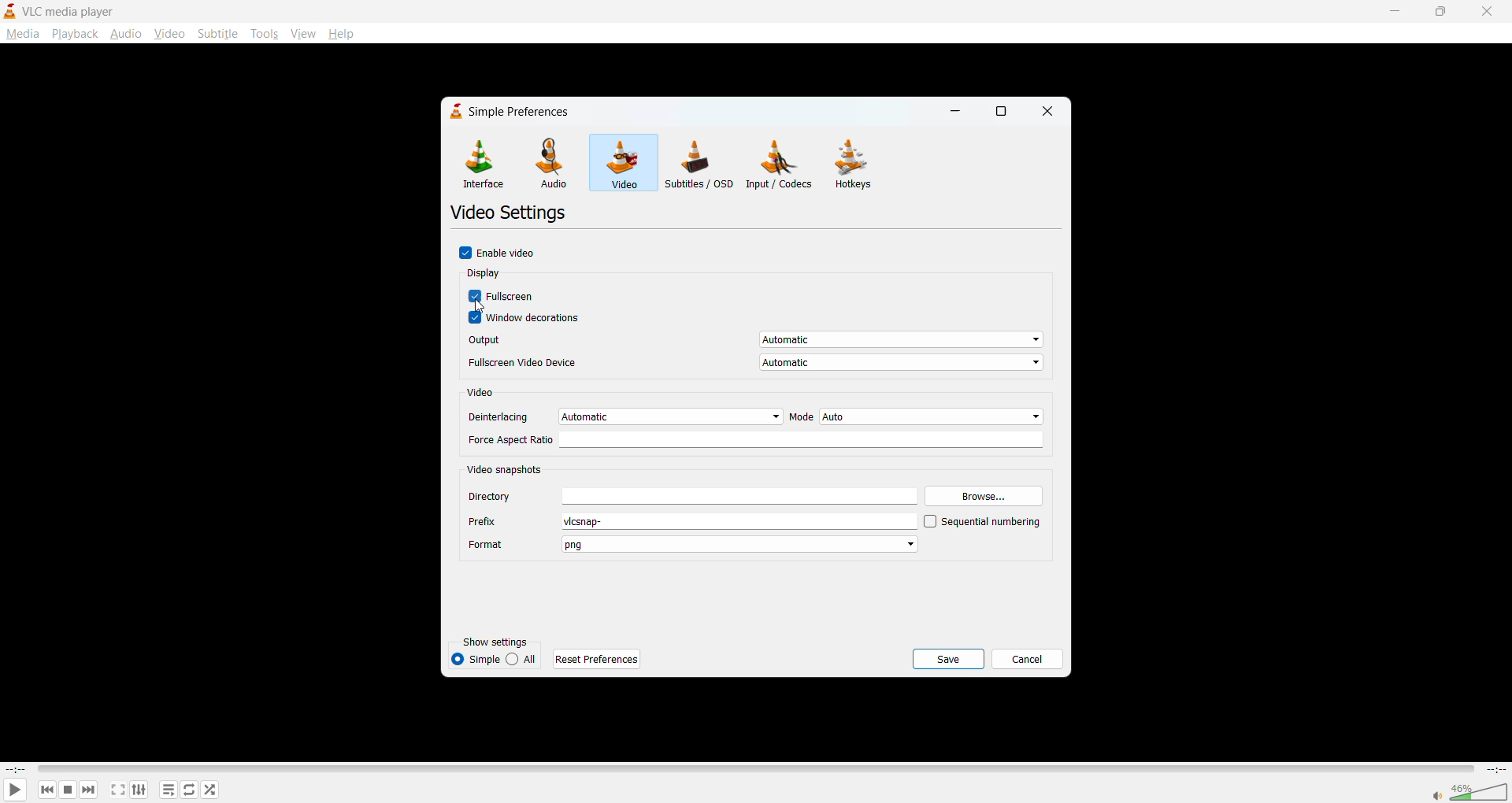  I want to click on simple, so click(475, 658).